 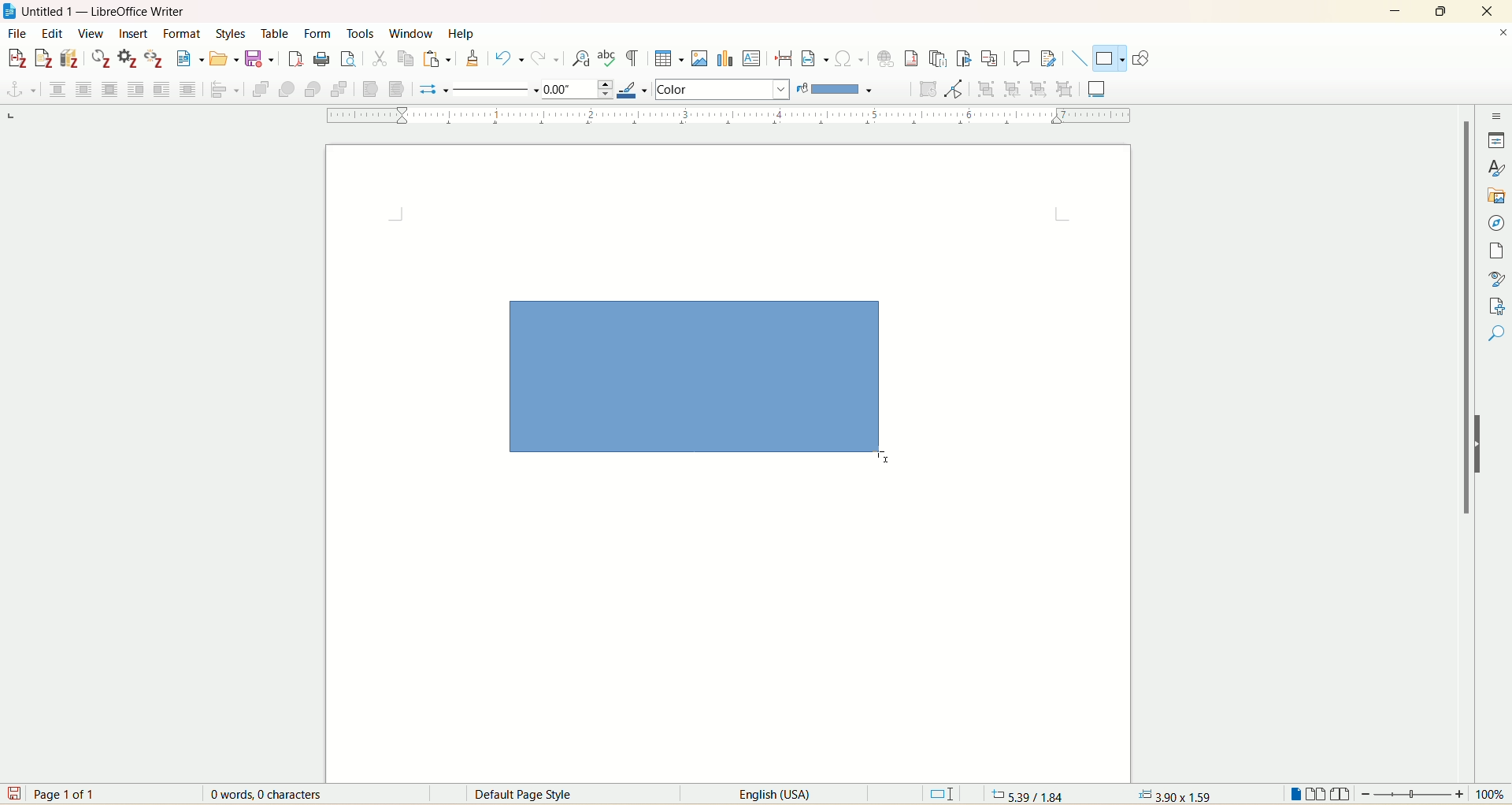 What do you see at coordinates (91, 33) in the screenshot?
I see `view` at bounding box center [91, 33].